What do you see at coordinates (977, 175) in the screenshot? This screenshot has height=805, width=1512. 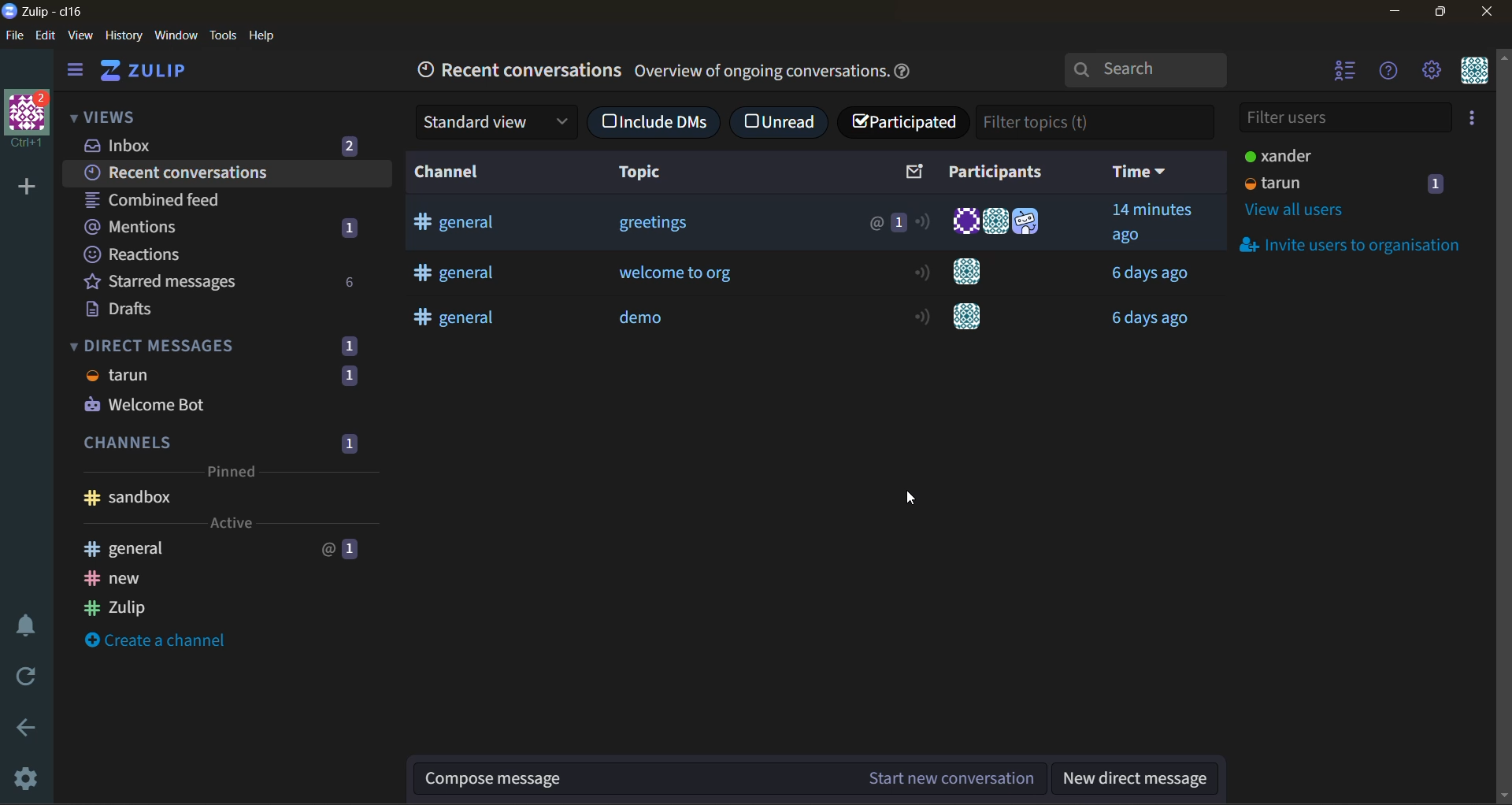 I see `participants` at bounding box center [977, 175].